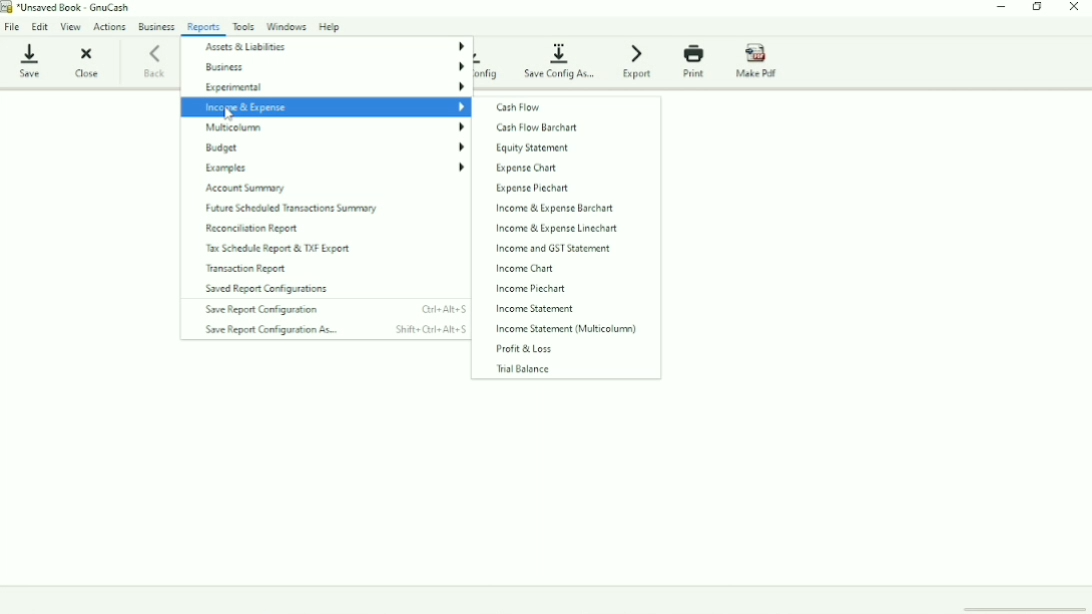  I want to click on Cursor, so click(227, 116).